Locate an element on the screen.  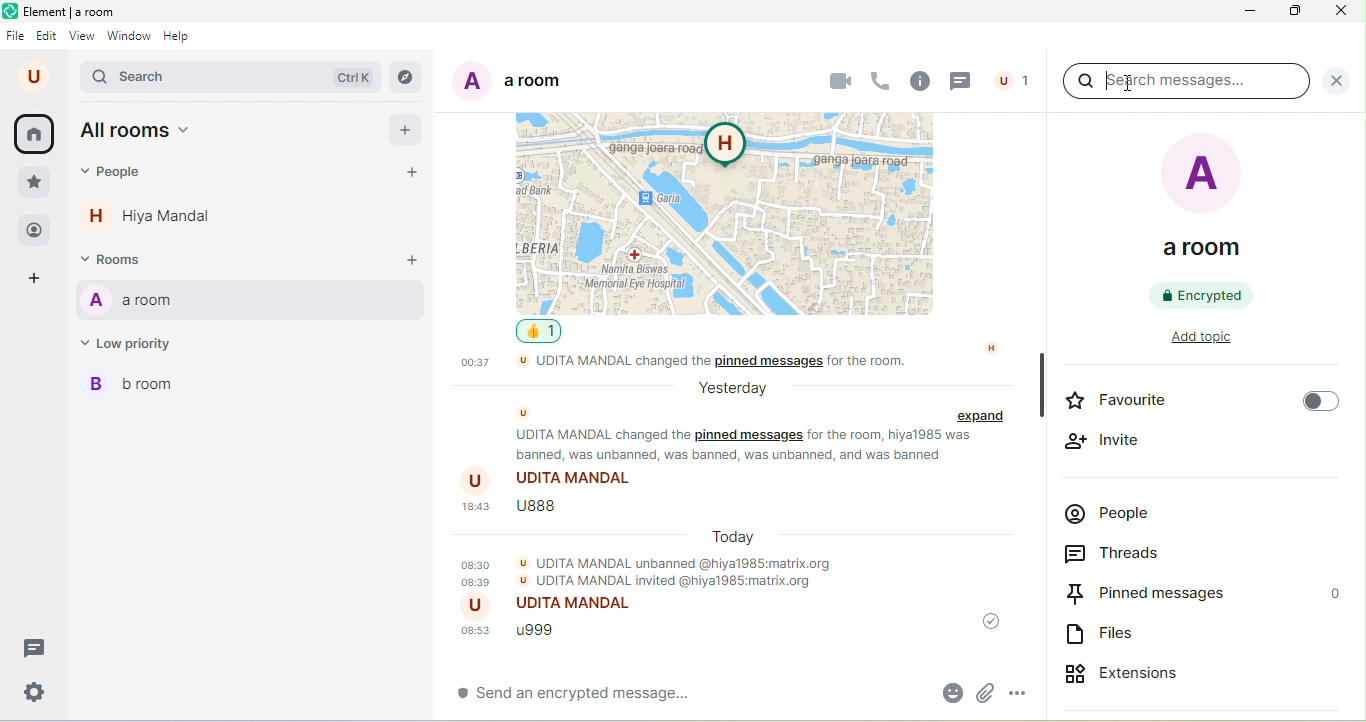
close is located at coordinates (1337, 15).